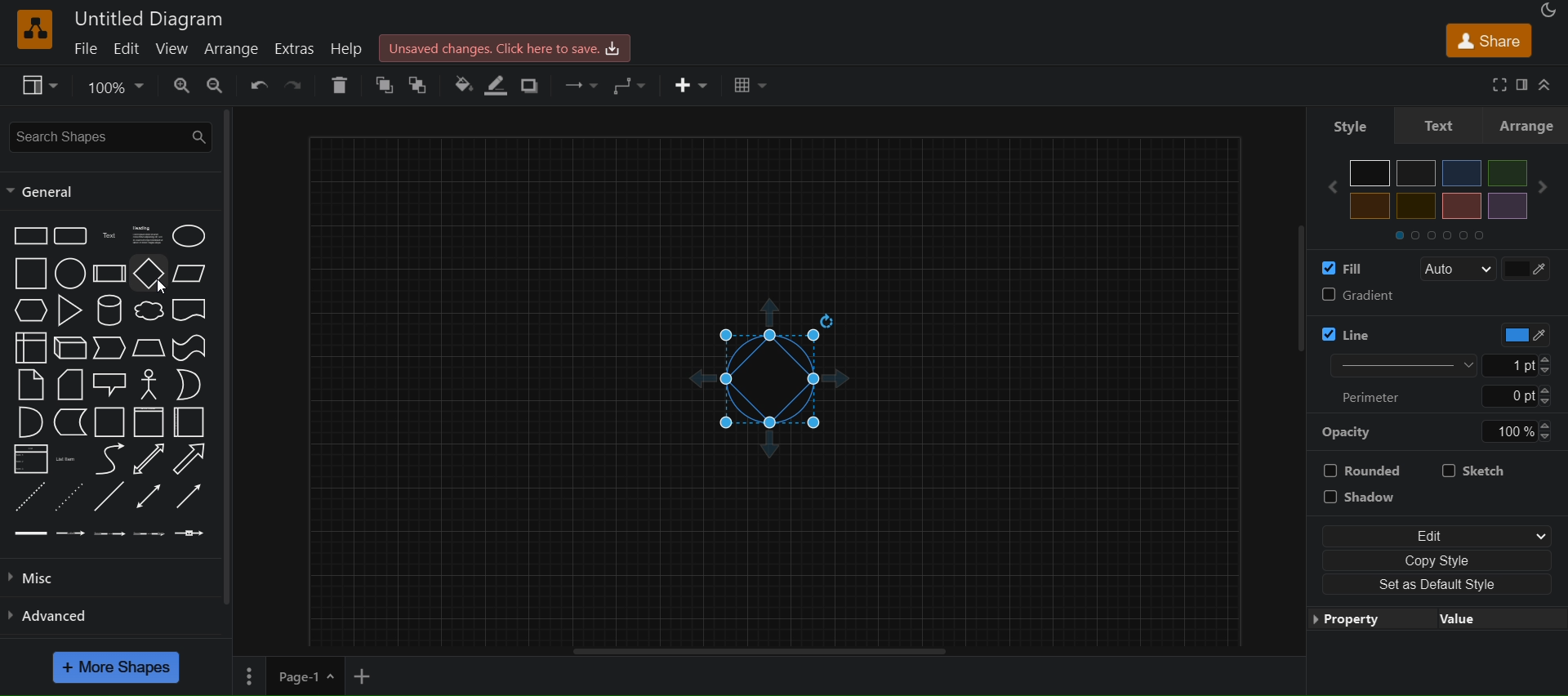 This screenshot has height=696, width=1568. I want to click on title, so click(150, 18).